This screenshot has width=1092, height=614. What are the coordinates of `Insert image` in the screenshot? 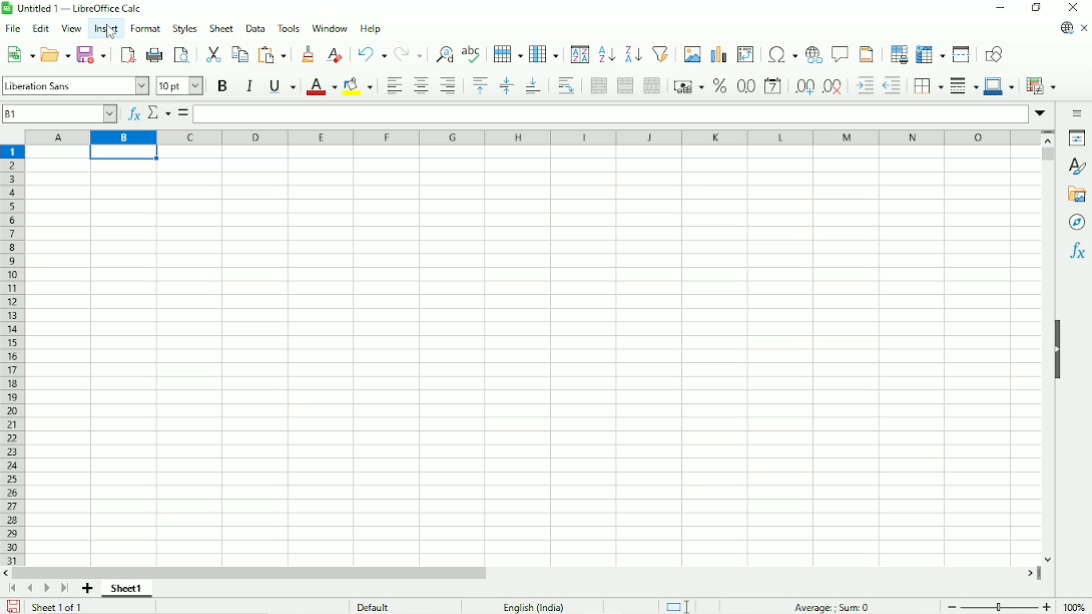 It's located at (692, 53).